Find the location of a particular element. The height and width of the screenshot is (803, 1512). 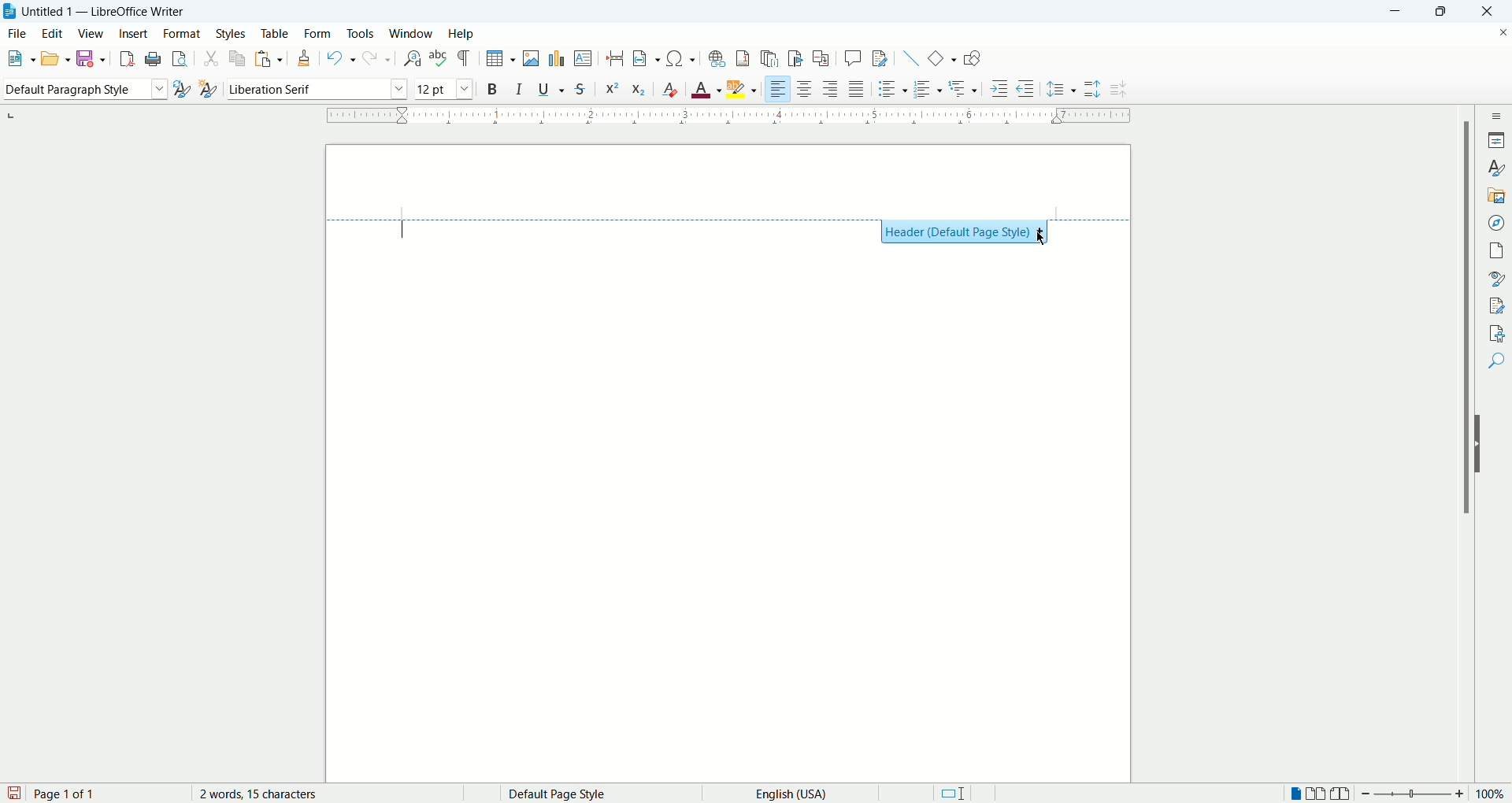

justified is located at coordinates (857, 90).